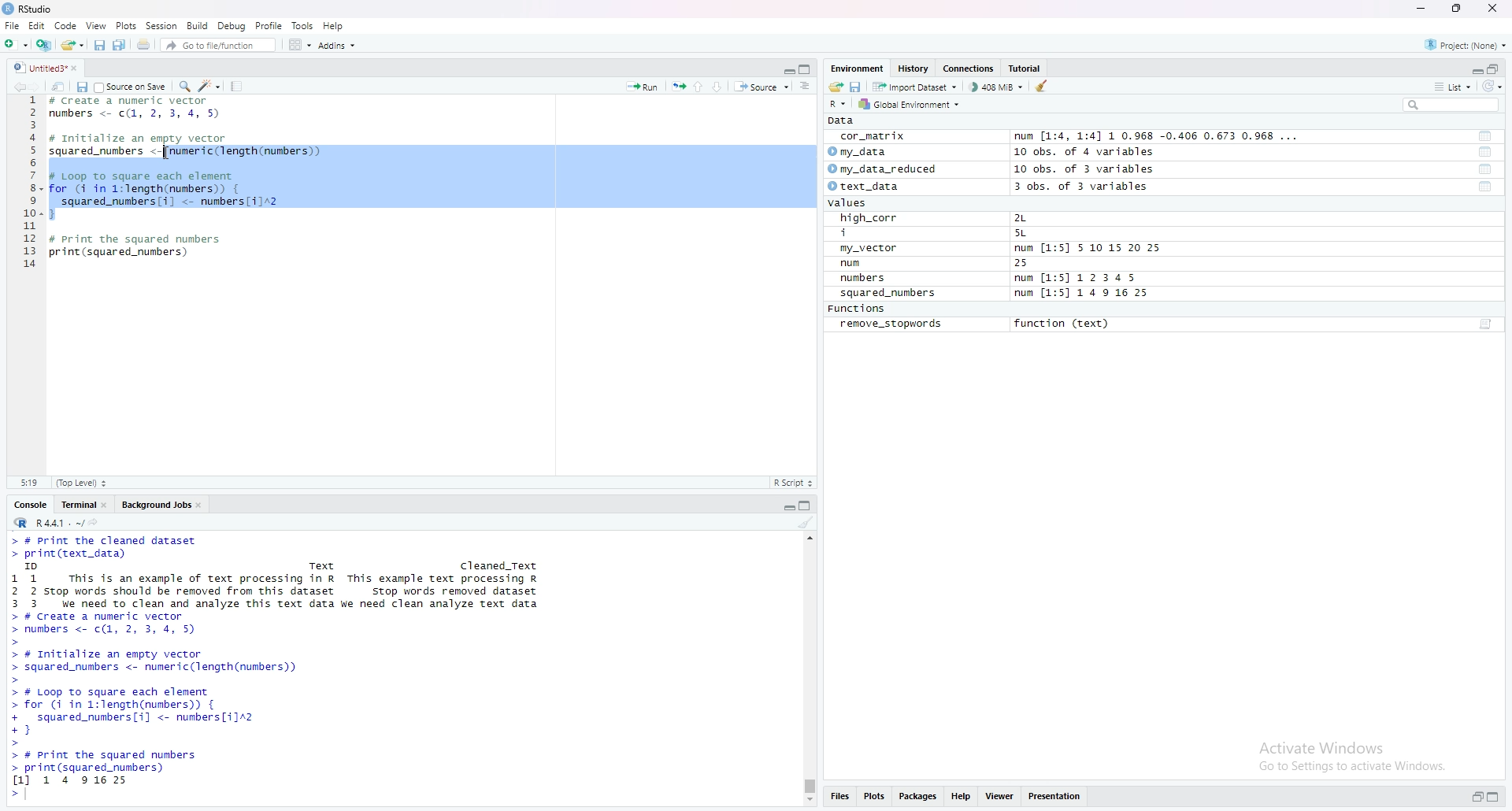 The width and height of the screenshot is (1512, 811). Describe the element at coordinates (236, 86) in the screenshot. I see `compile report` at that location.